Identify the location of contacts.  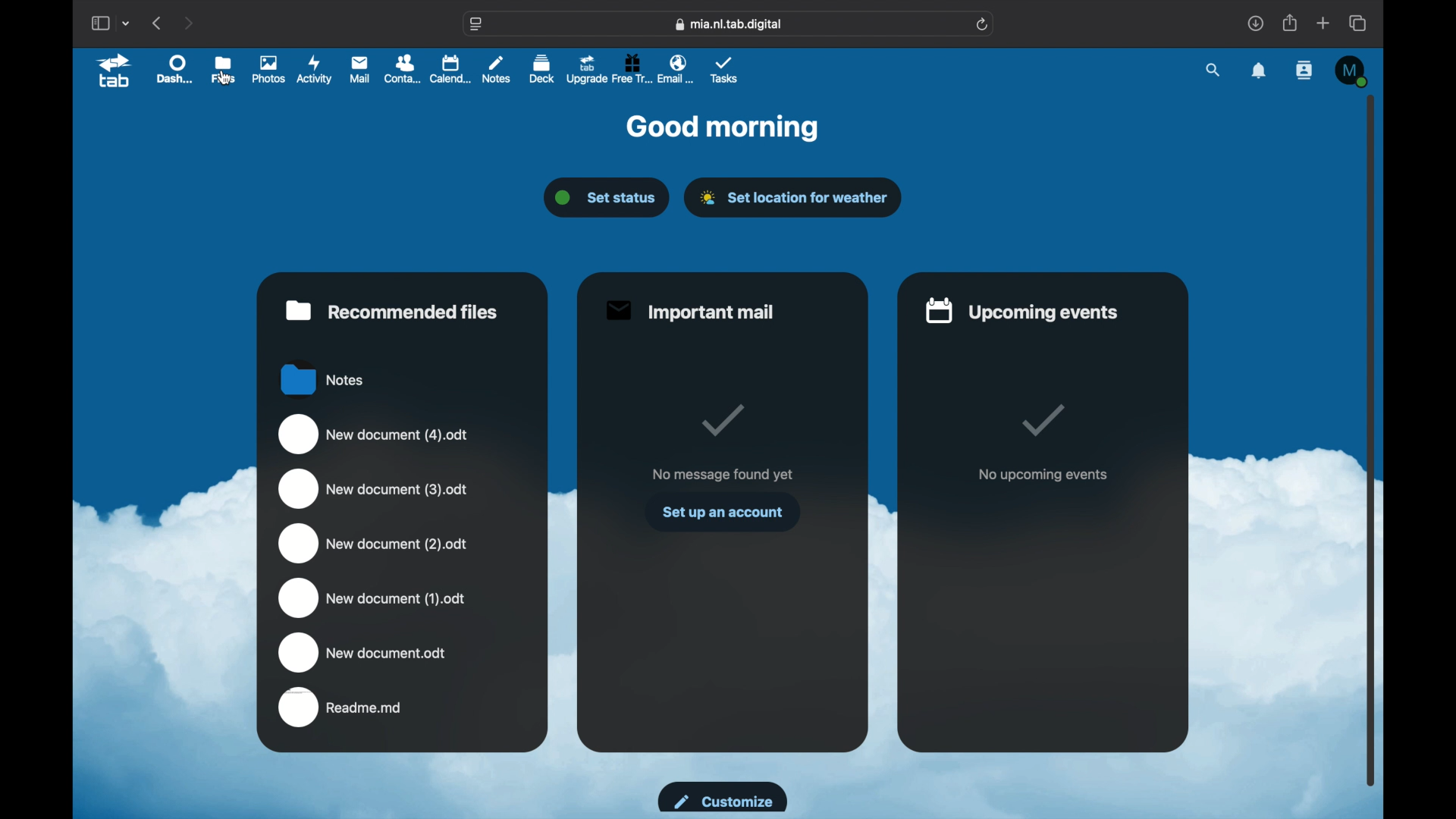
(401, 68).